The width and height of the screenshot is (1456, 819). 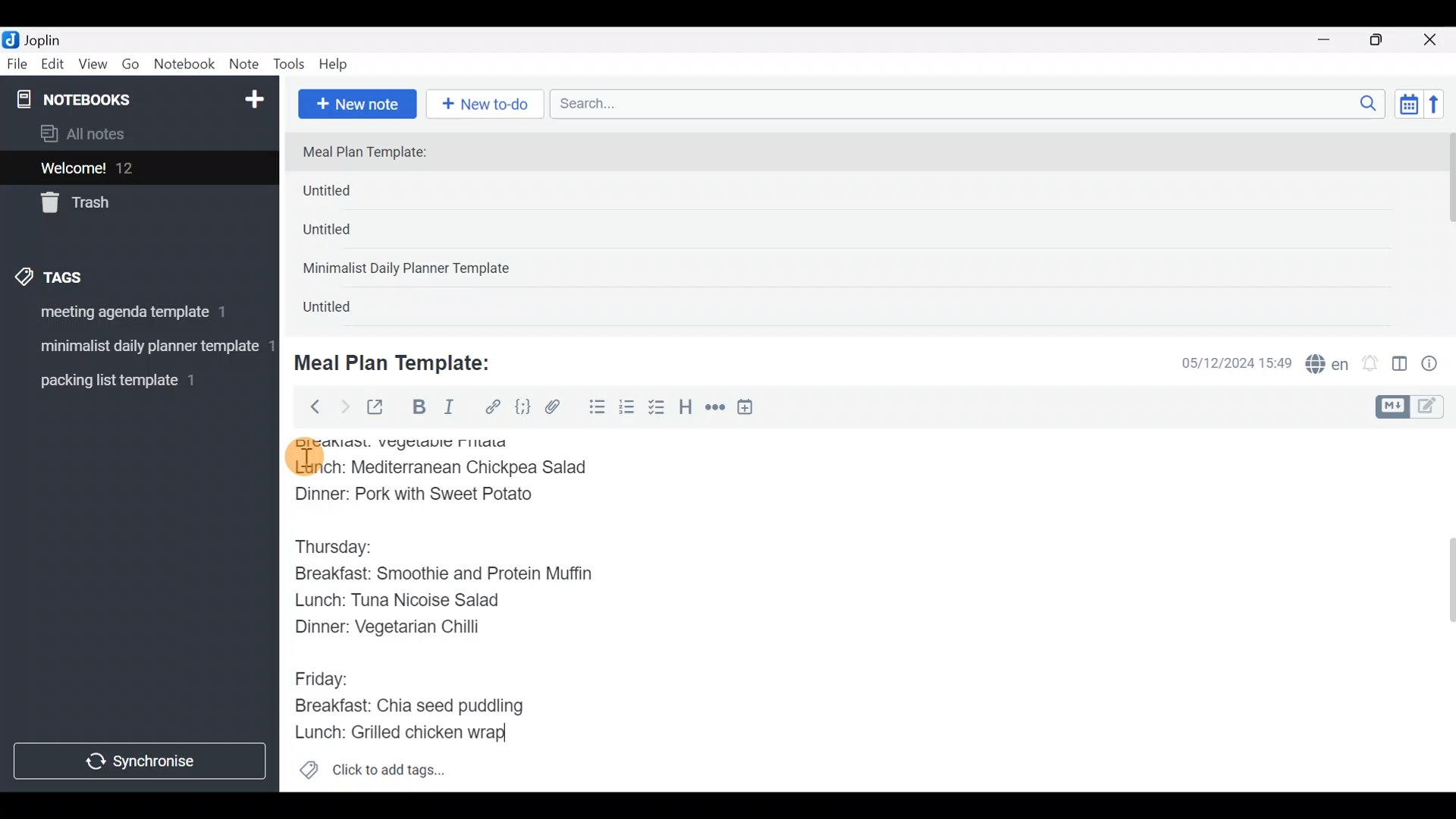 What do you see at coordinates (525, 737) in the screenshot?
I see `text Cursor` at bounding box center [525, 737].